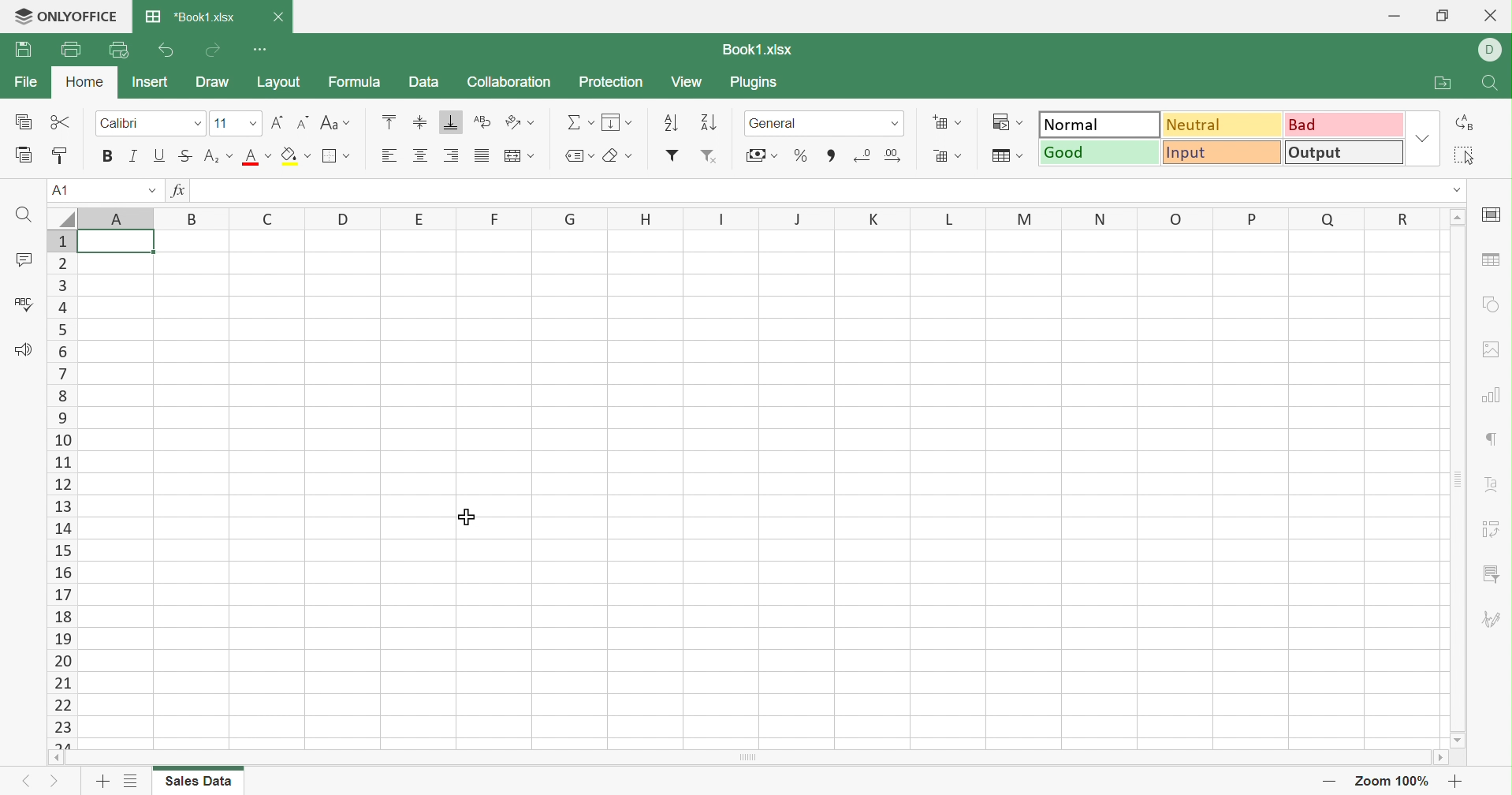 The height and width of the screenshot is (795, 1512). What do you see at coordinates (56, 757) in the screenshot?
I see `Scroll Left` at bounding box center [56, 757].